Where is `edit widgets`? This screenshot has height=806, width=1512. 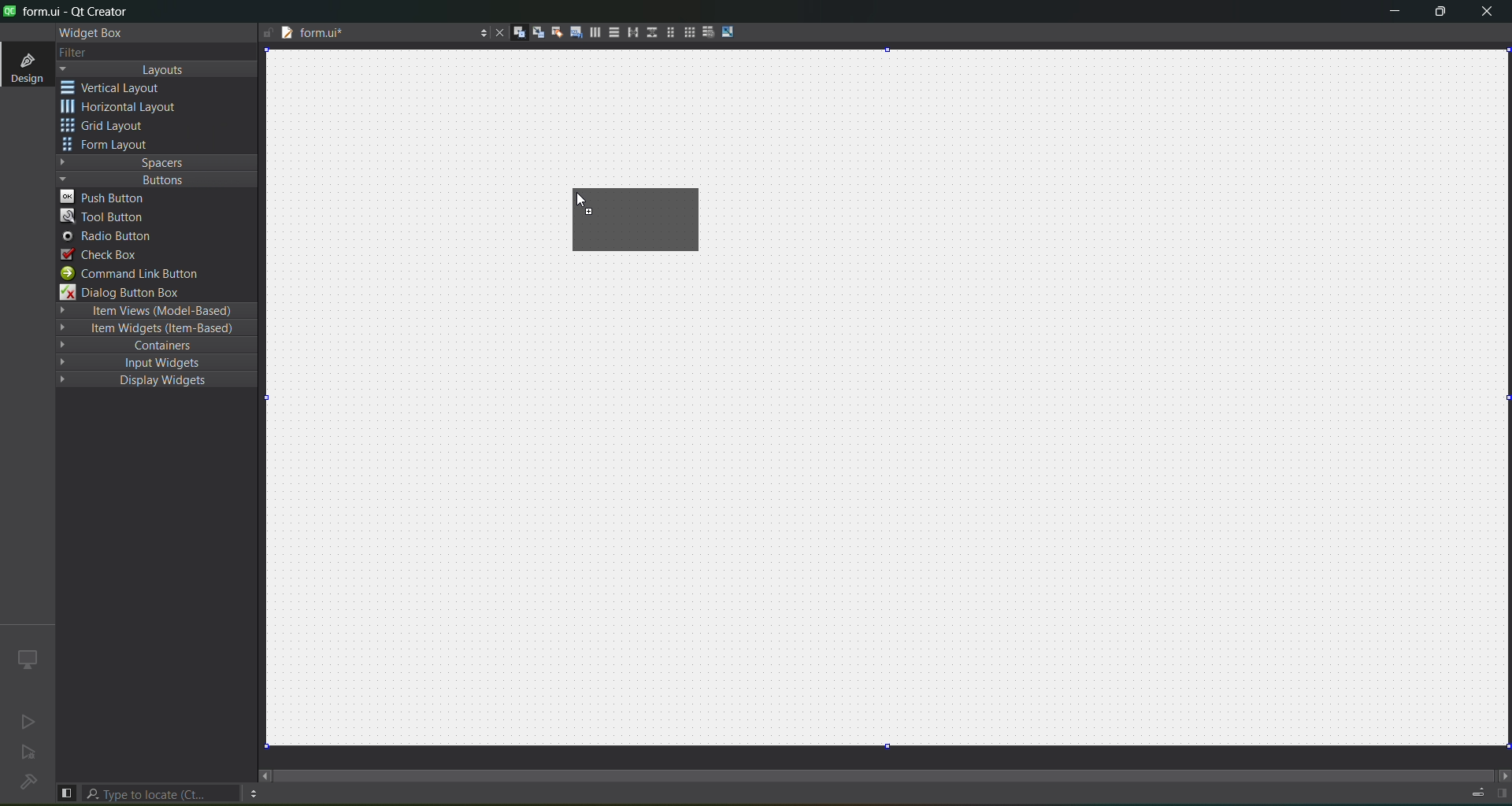
edit widgets is located at coordinates (519, 33).